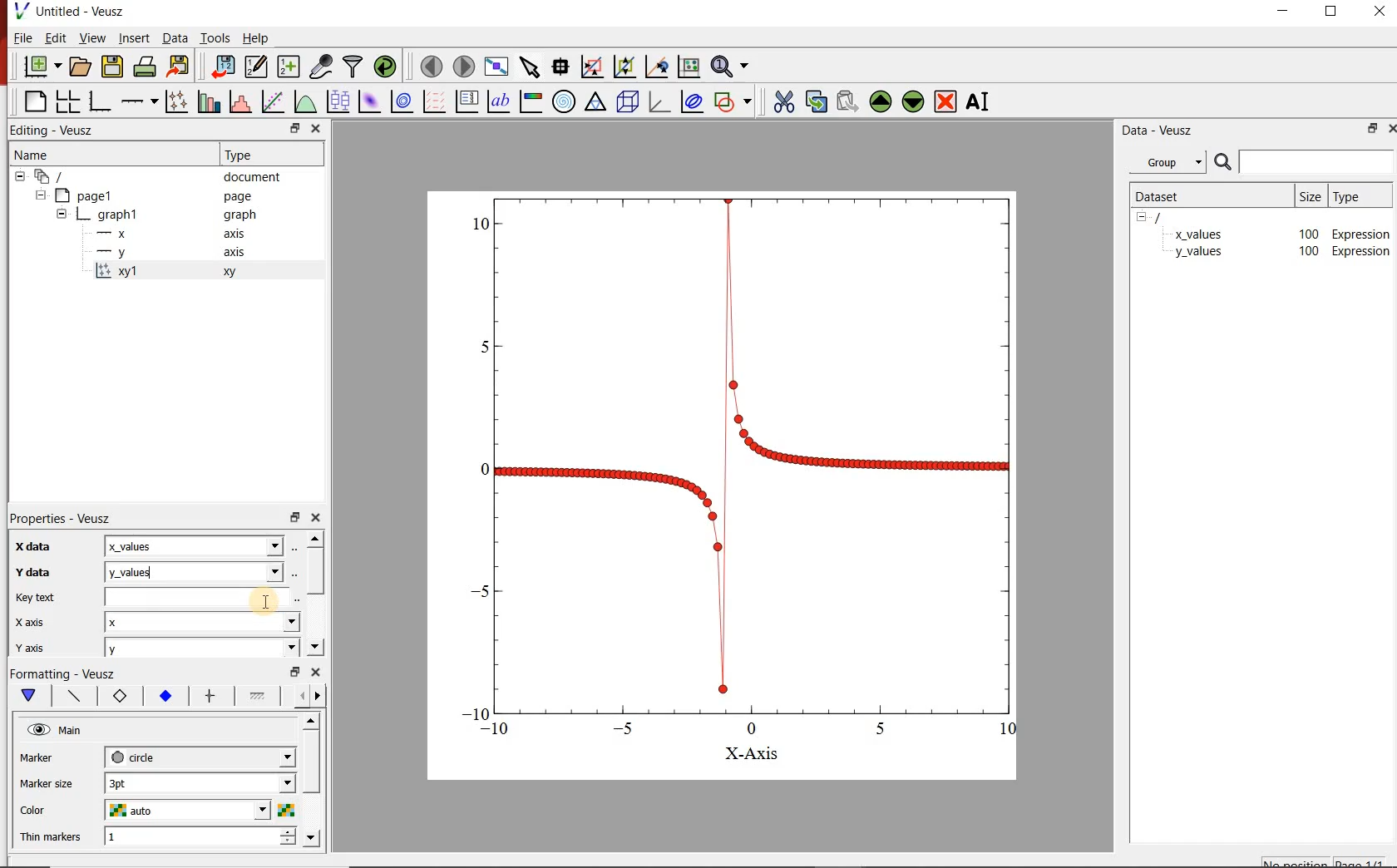 Image resolution: width=1397 pixels, height=868 pixels. I want to click on insert, so click(134, 37).